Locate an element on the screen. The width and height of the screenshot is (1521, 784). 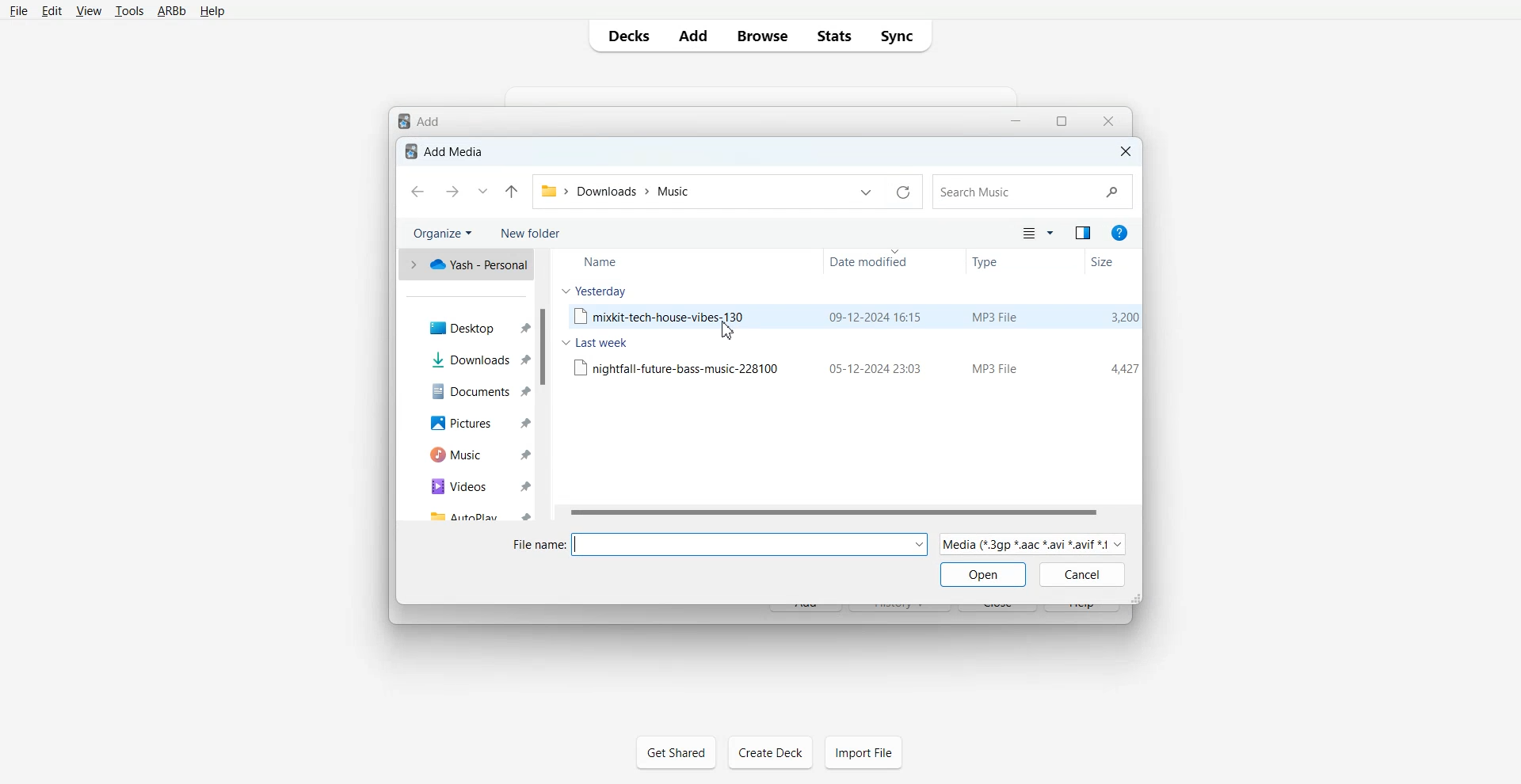
Music is located at coordinates (477, 455).